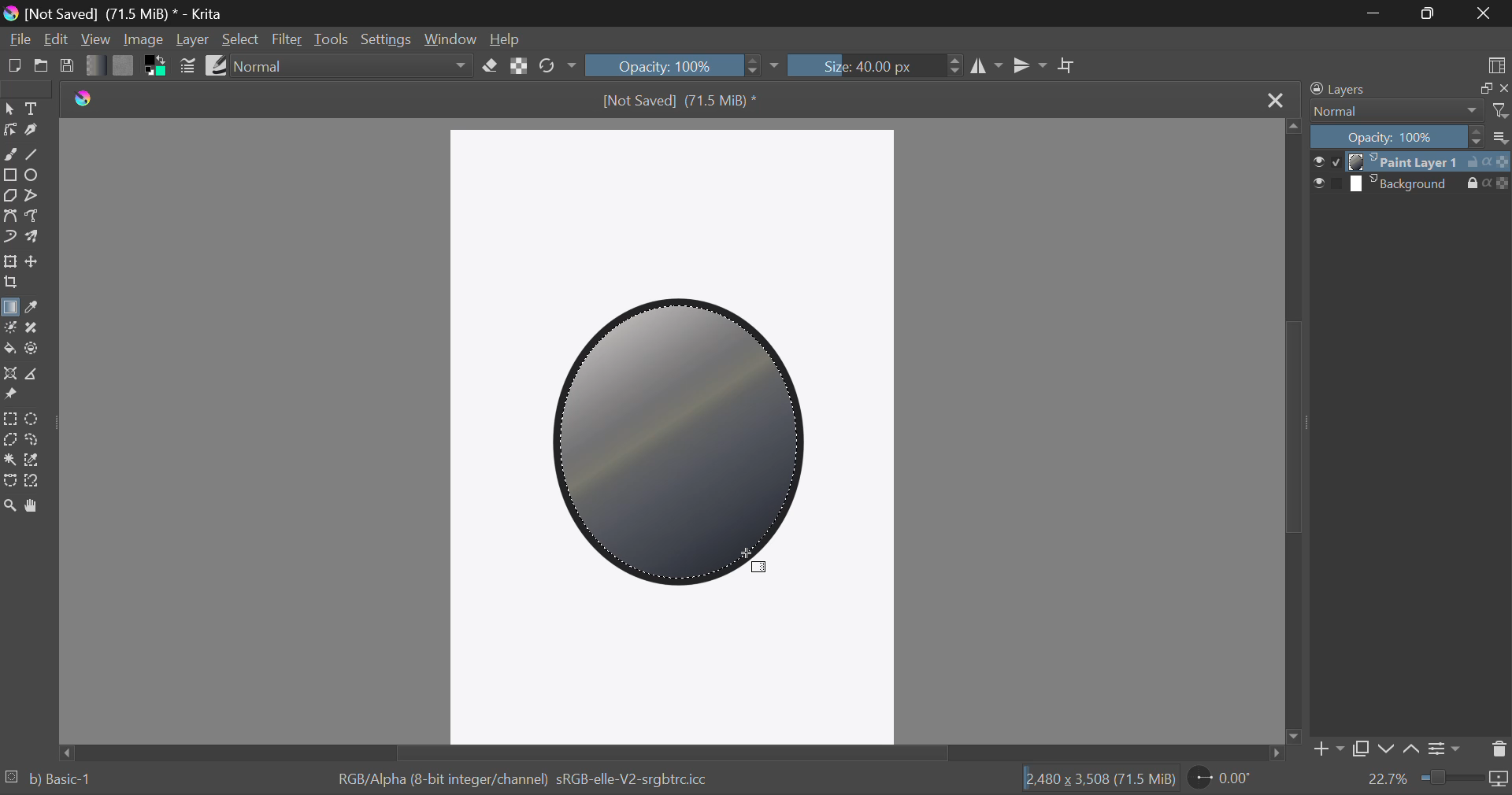 The height and width of the screenshot is (795, 1512). Describe the element at coordinates (36, 198) in the screenshot. I see `Polyline` at that location.